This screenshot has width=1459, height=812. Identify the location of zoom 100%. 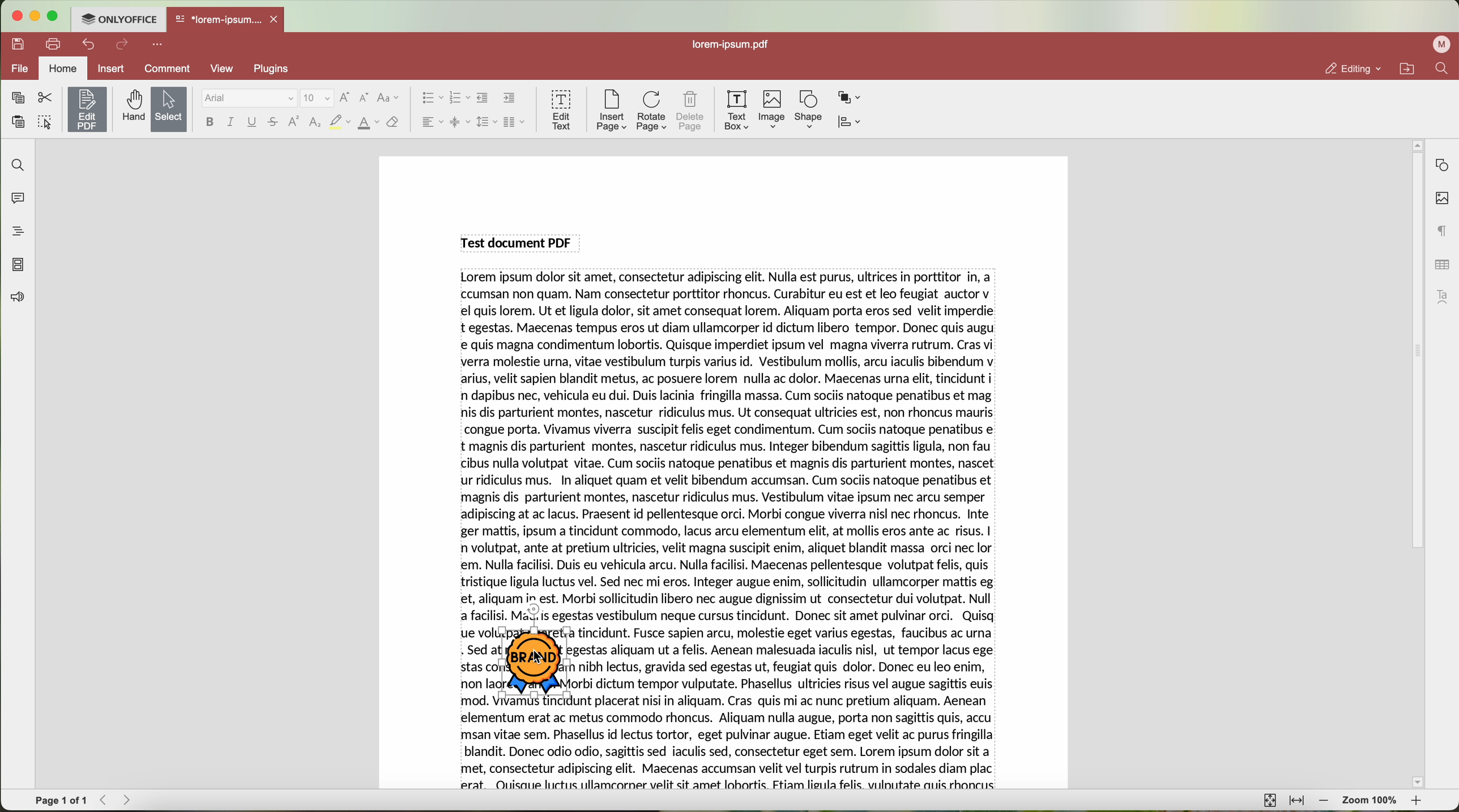
(1371, 802).